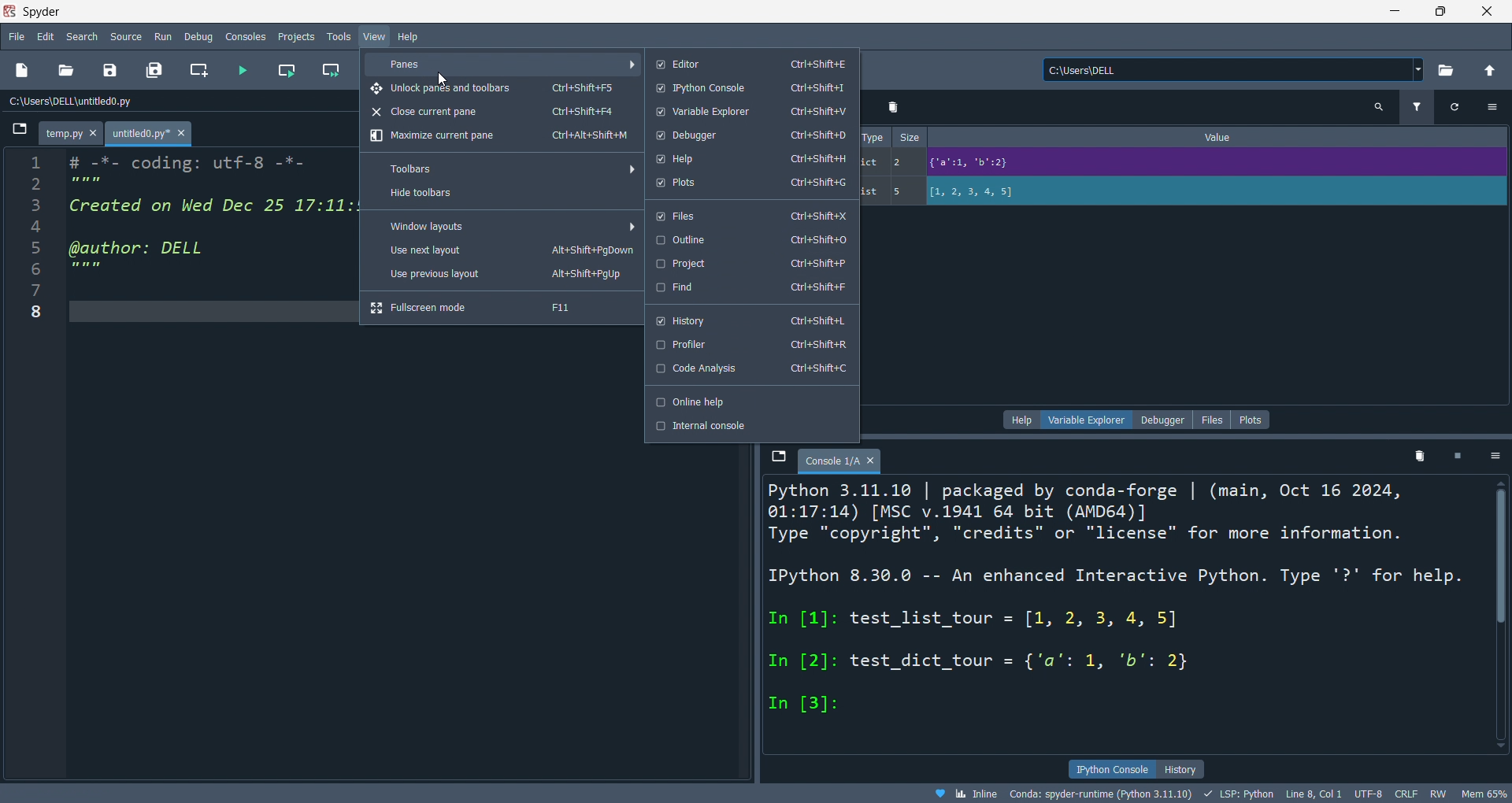 Image resolution: width=1512 pixels, height=803 pixels. Describe the element at coordinates (411, 36) in the screenshot. I see `help` at that location.